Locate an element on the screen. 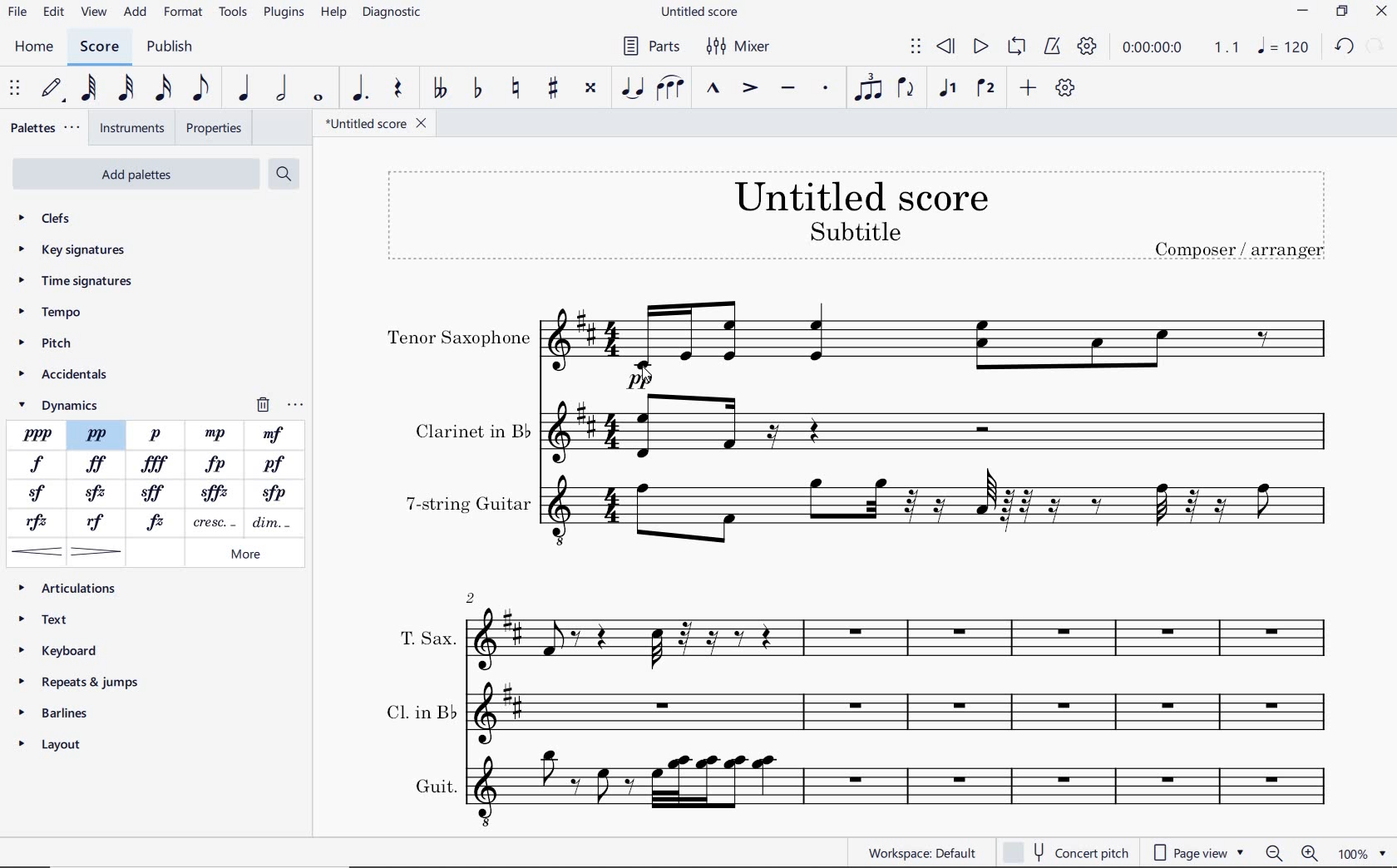 This screenshot has width=1397, height=868. file name is located at coordinates (378, 124).